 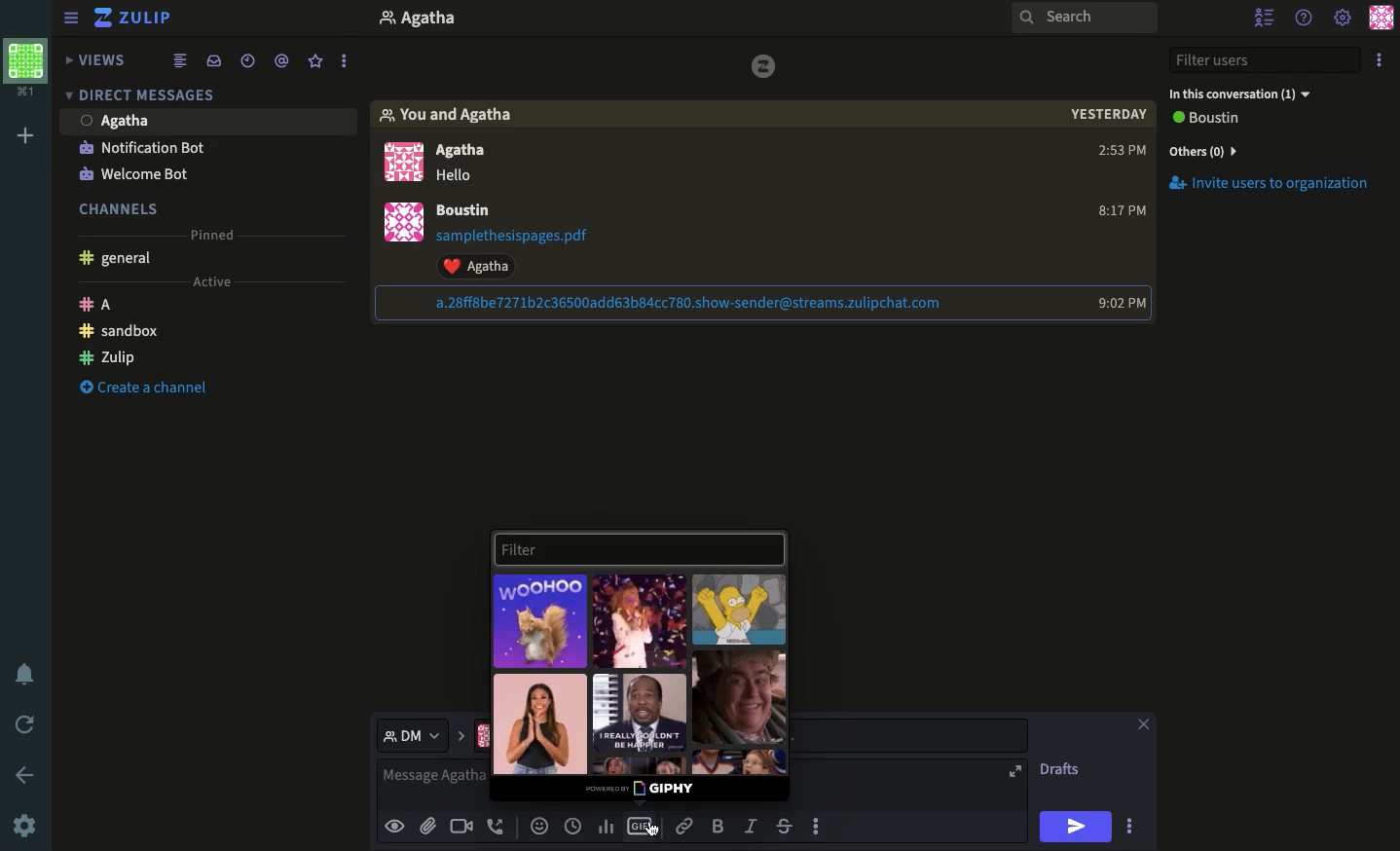 What do you see at coordinates (221, 283) in the screenshot?
I see `Active` at bounding box center [221, 283].